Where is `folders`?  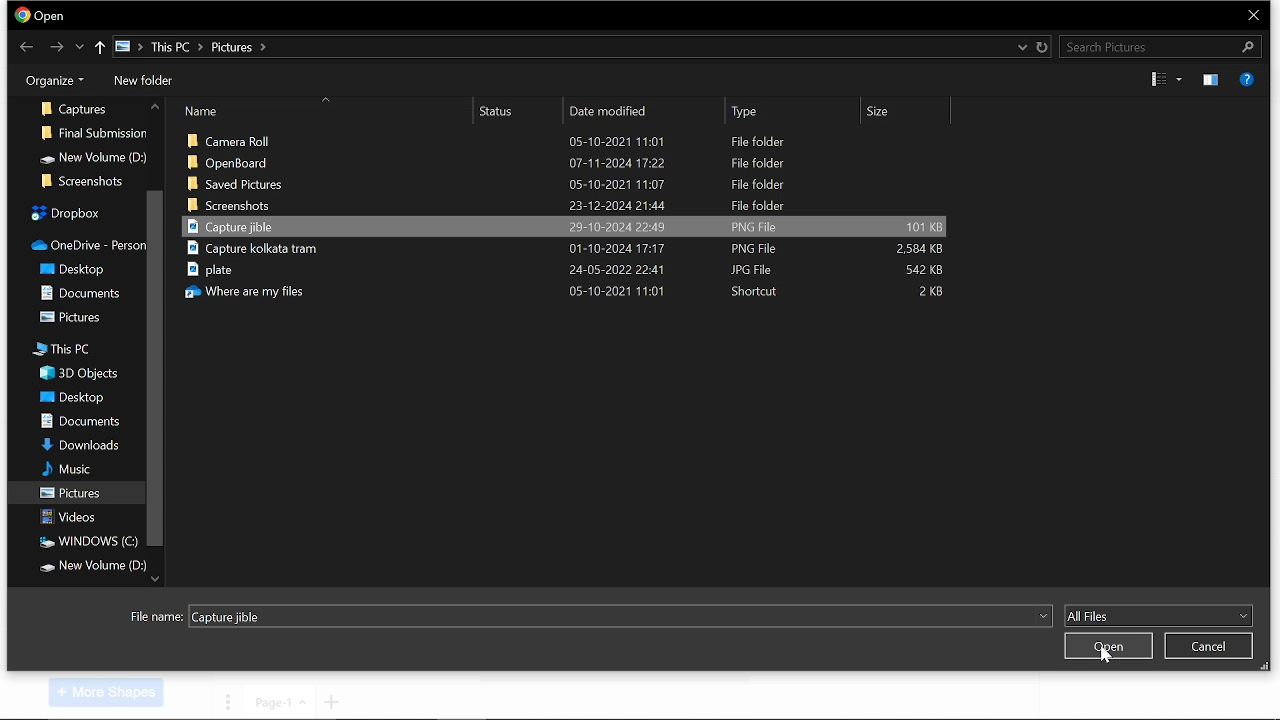
folders is located at coordinates (75, 444).